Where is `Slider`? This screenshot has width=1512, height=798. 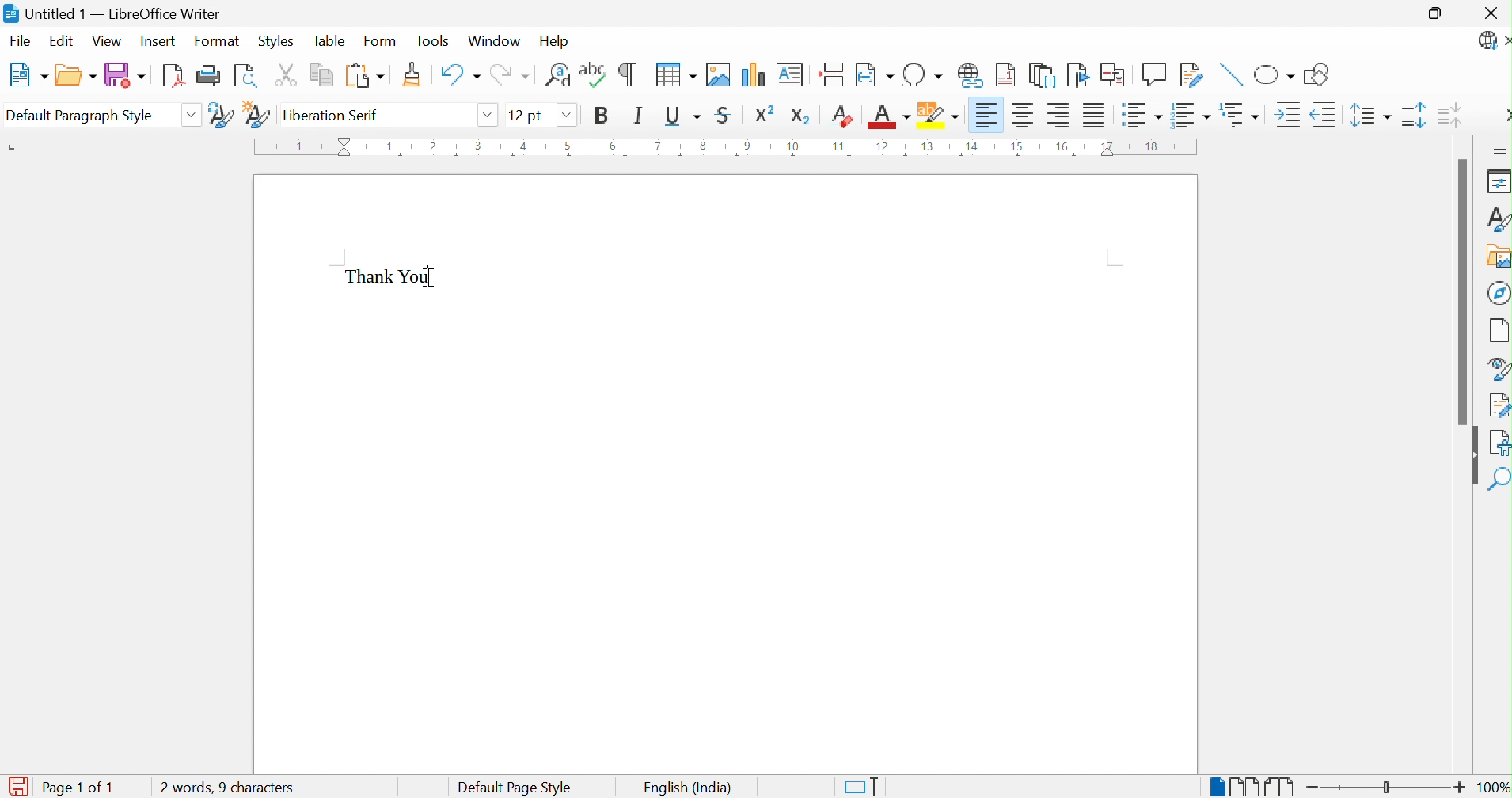
Slider is located at coordinates (1386, 788).